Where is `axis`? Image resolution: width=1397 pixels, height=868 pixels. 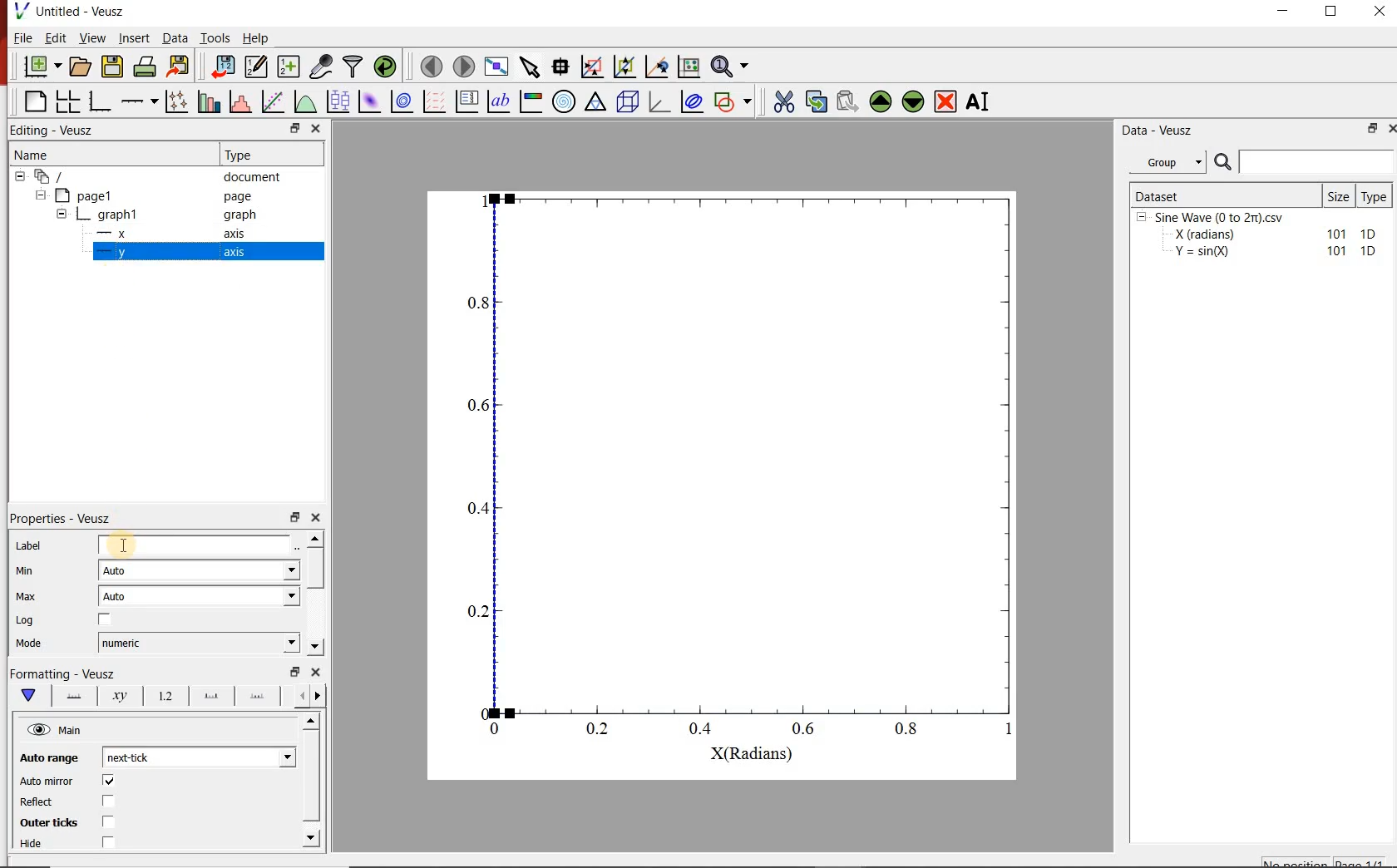 axis is located at coordinates (235, 233).